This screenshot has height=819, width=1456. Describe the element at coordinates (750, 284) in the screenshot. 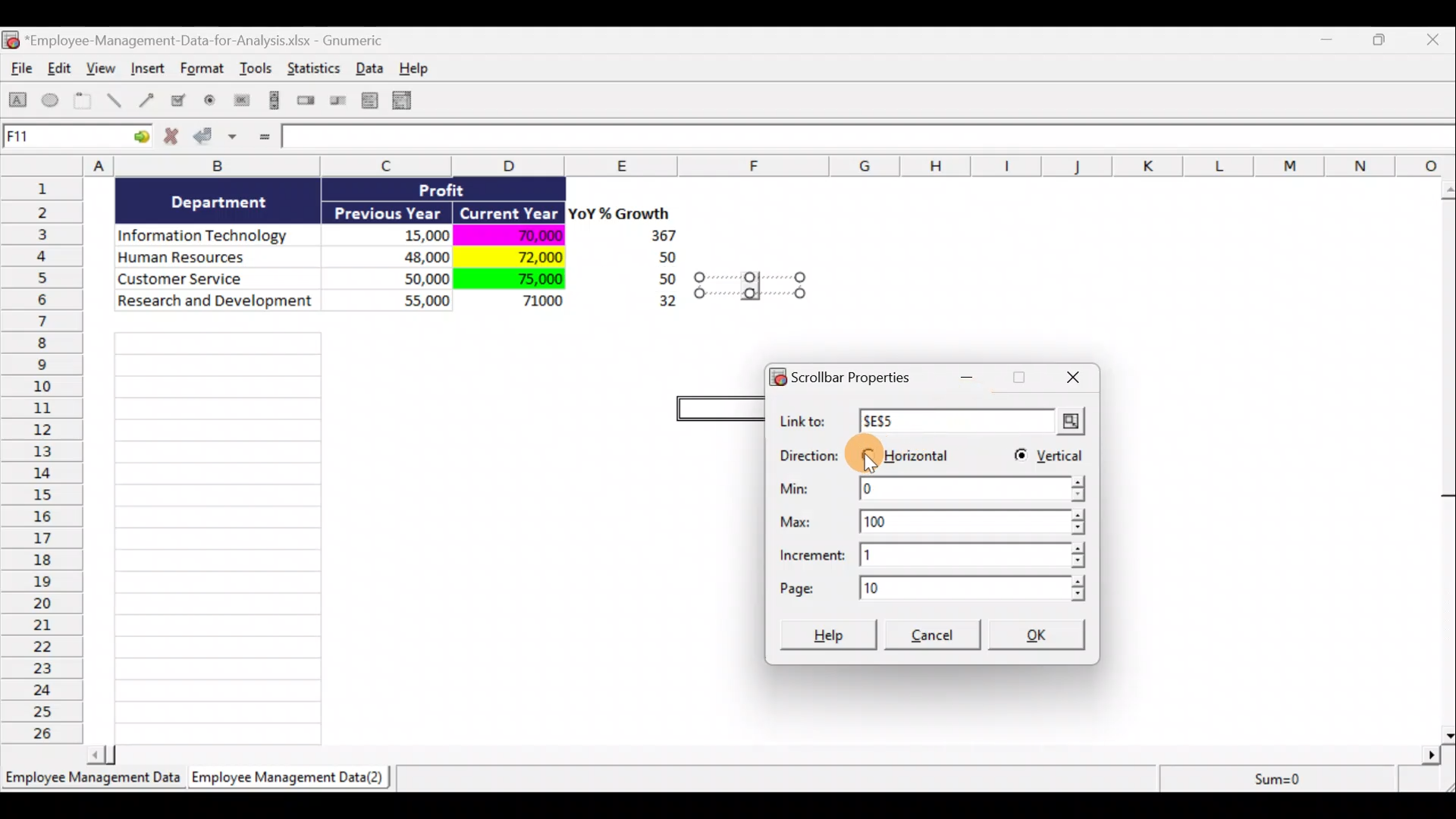

I see `resize handle` at that location.